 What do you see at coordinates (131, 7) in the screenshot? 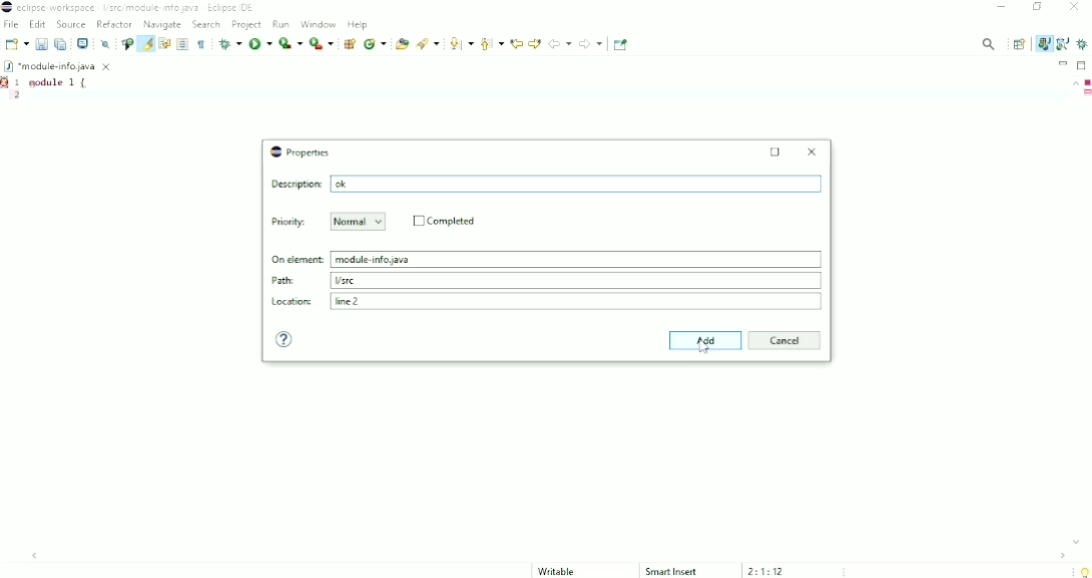
I see `eclipse workspace /src/module.info.java Eclipse IDE` at bounding box center [131, 7].